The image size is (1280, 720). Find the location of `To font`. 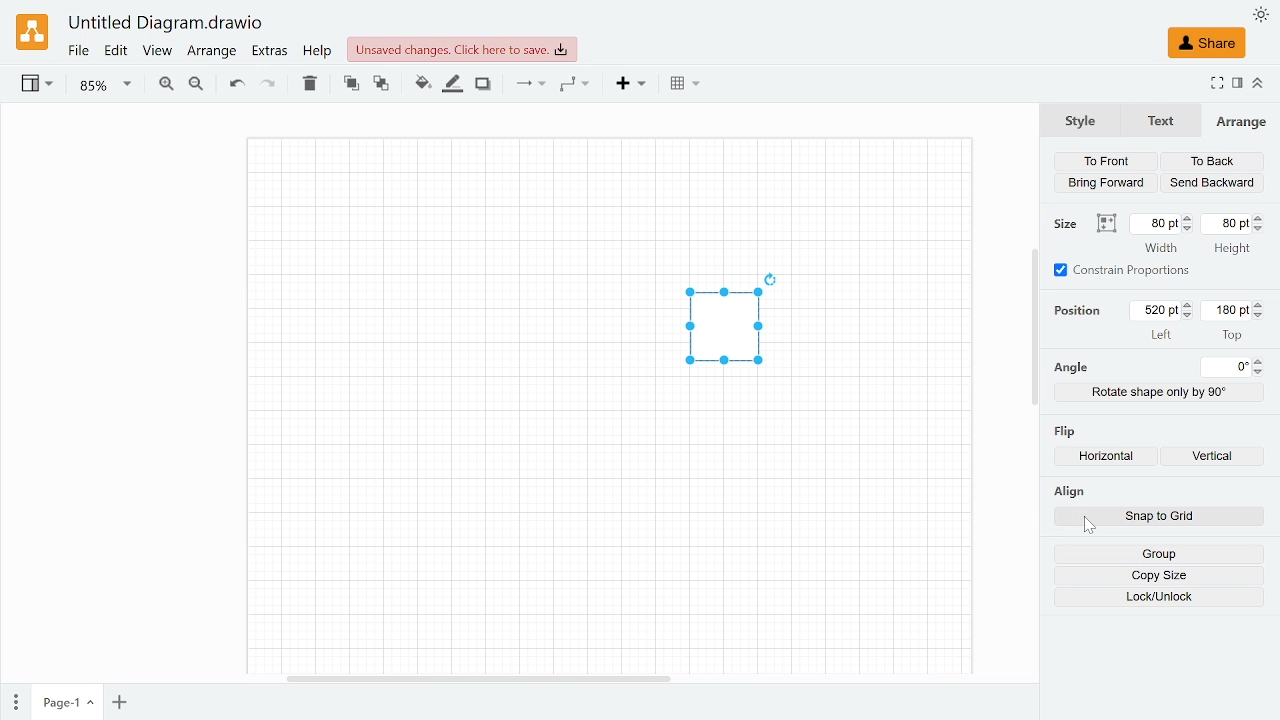

To font is located at coordinates (351, 84).